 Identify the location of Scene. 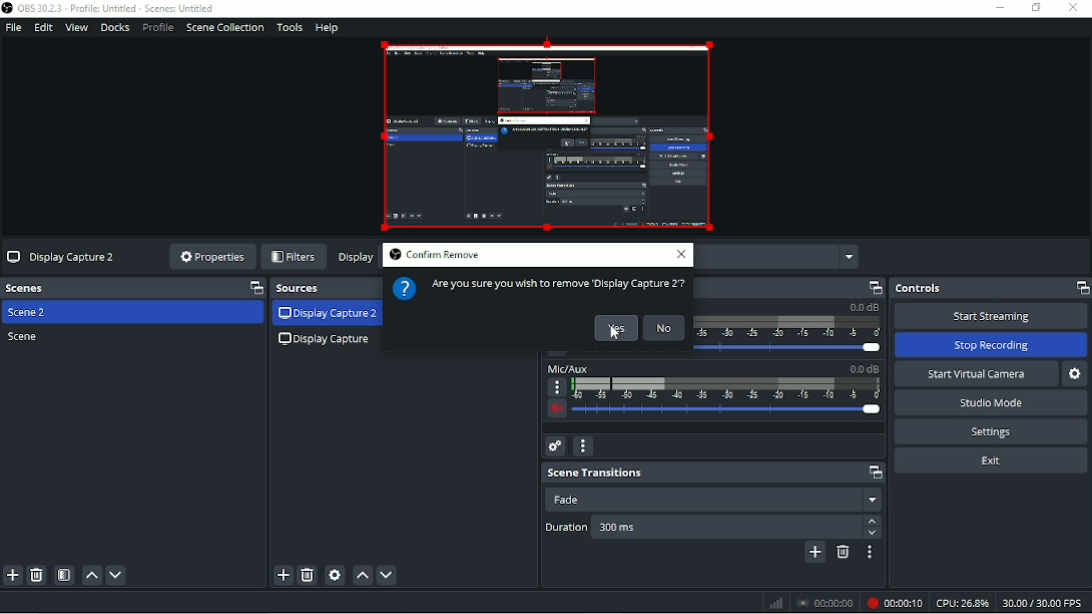
(24, 337).